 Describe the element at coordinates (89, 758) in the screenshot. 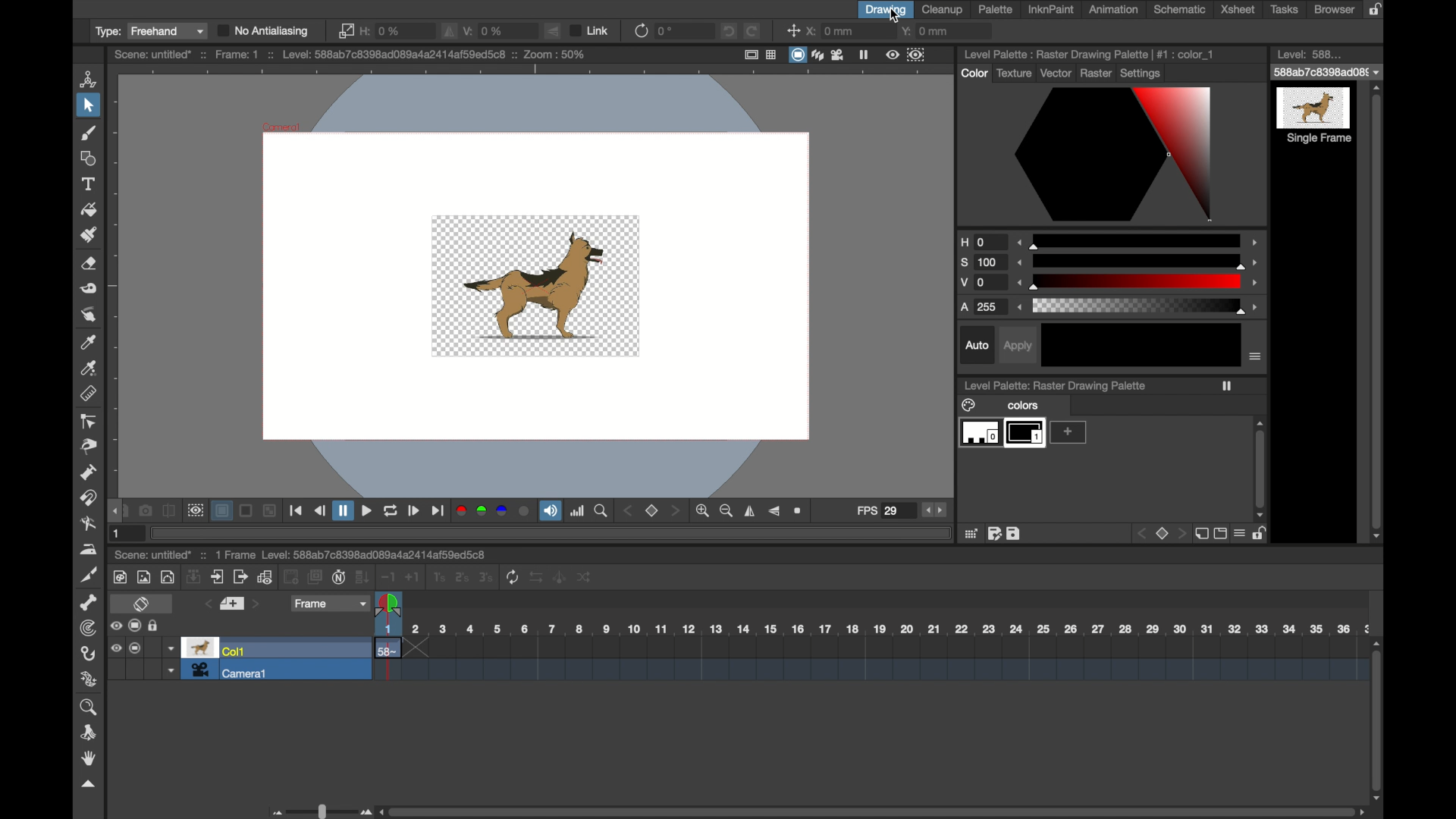

I see `hand tool` at that location.